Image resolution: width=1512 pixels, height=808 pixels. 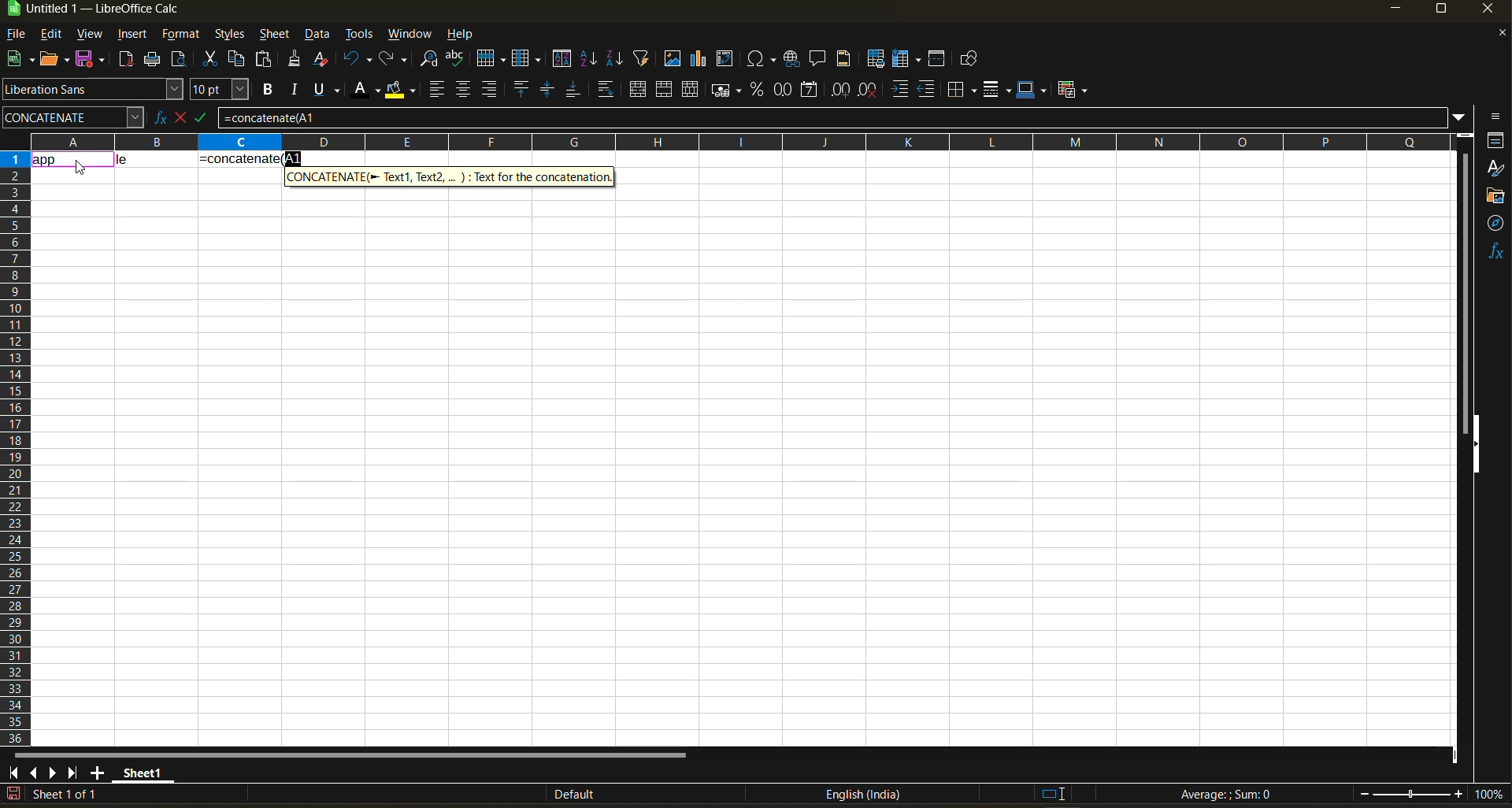 What do you see at coordinates (265, 90) in the screenshot?
I see `bold` at bounding box center [265, 90].